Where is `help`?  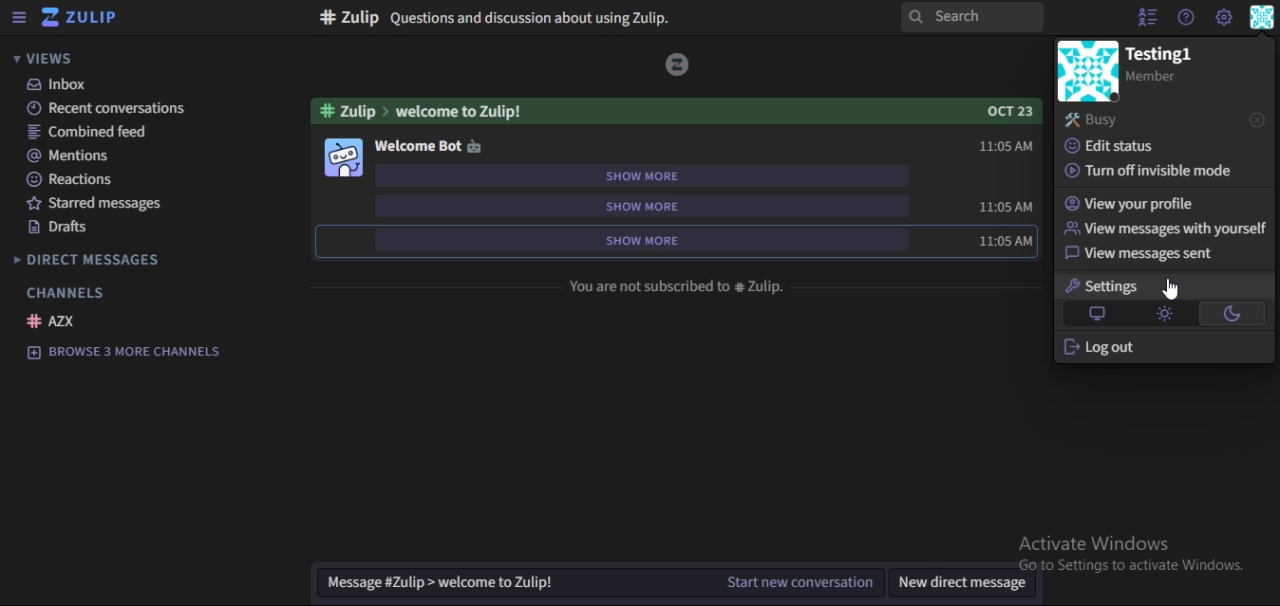 help is located at coordinates (1184, 18).